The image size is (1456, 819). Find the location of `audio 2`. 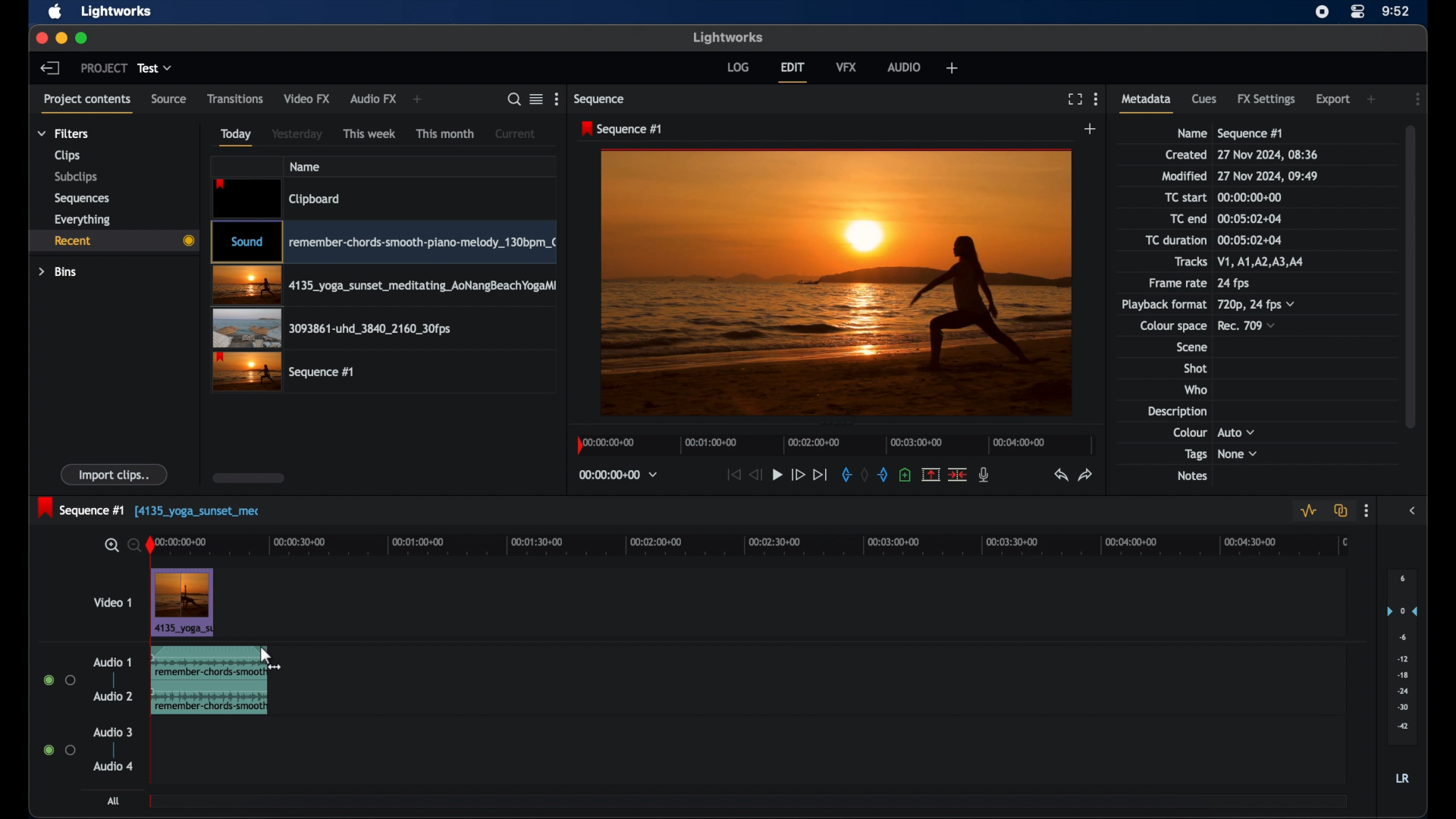

audio 2 is located at coordinates (111, 696).